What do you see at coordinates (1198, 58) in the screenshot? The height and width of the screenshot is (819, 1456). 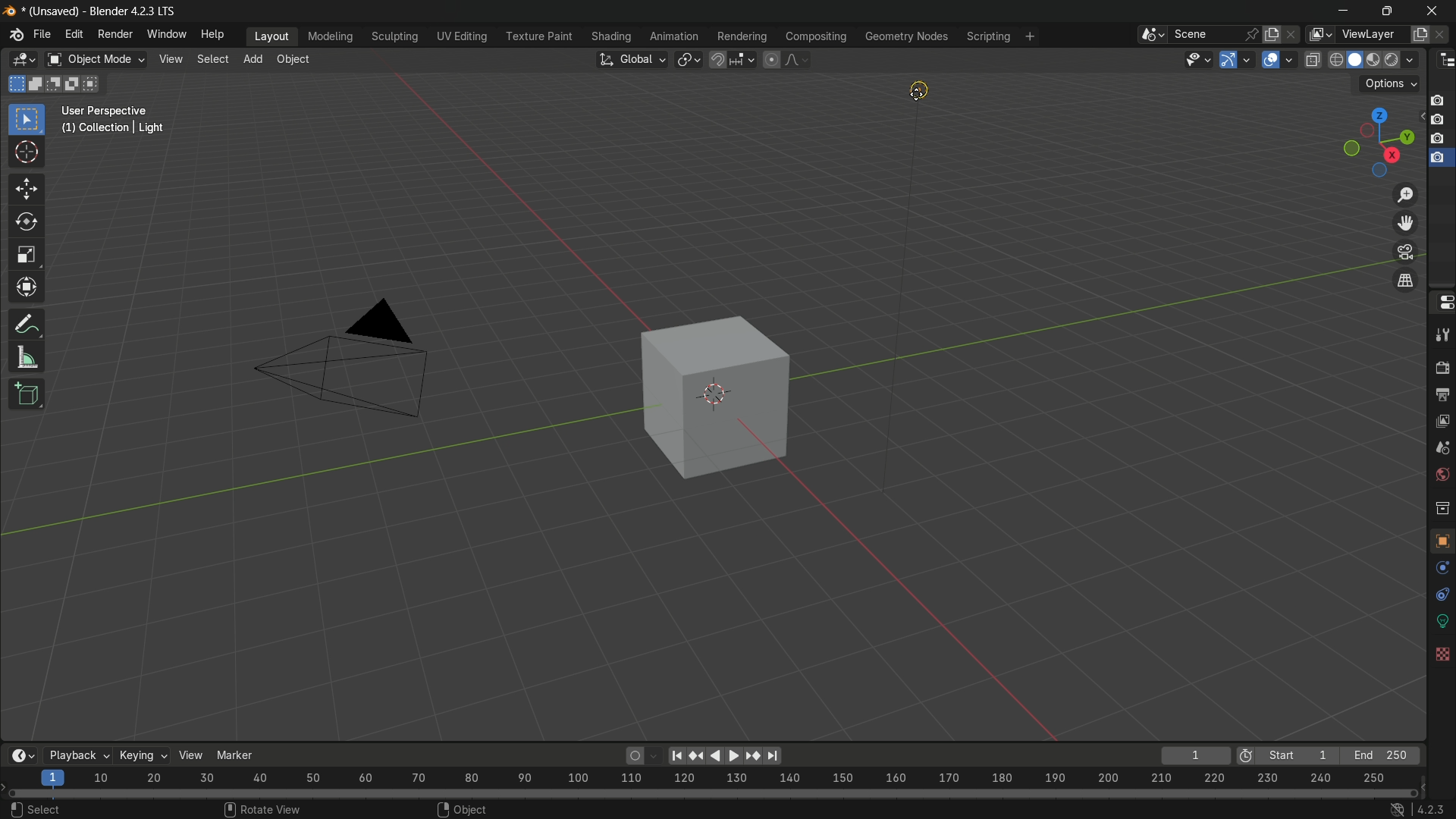 I see `selectability and visibility` at bounding box center [1198, 58].